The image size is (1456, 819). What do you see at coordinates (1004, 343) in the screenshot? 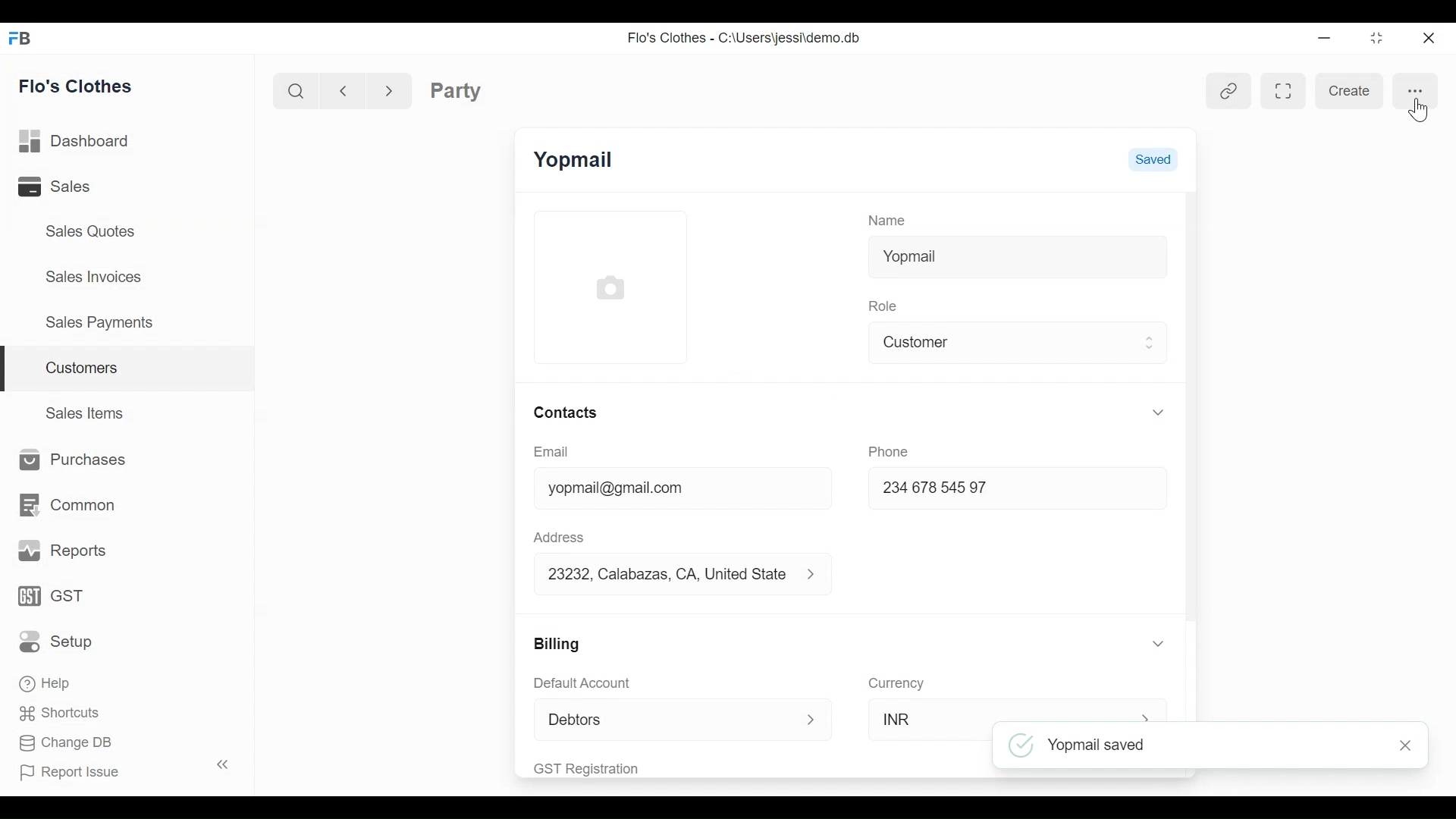
I see `Customer` at bounding box center [1004, 343].